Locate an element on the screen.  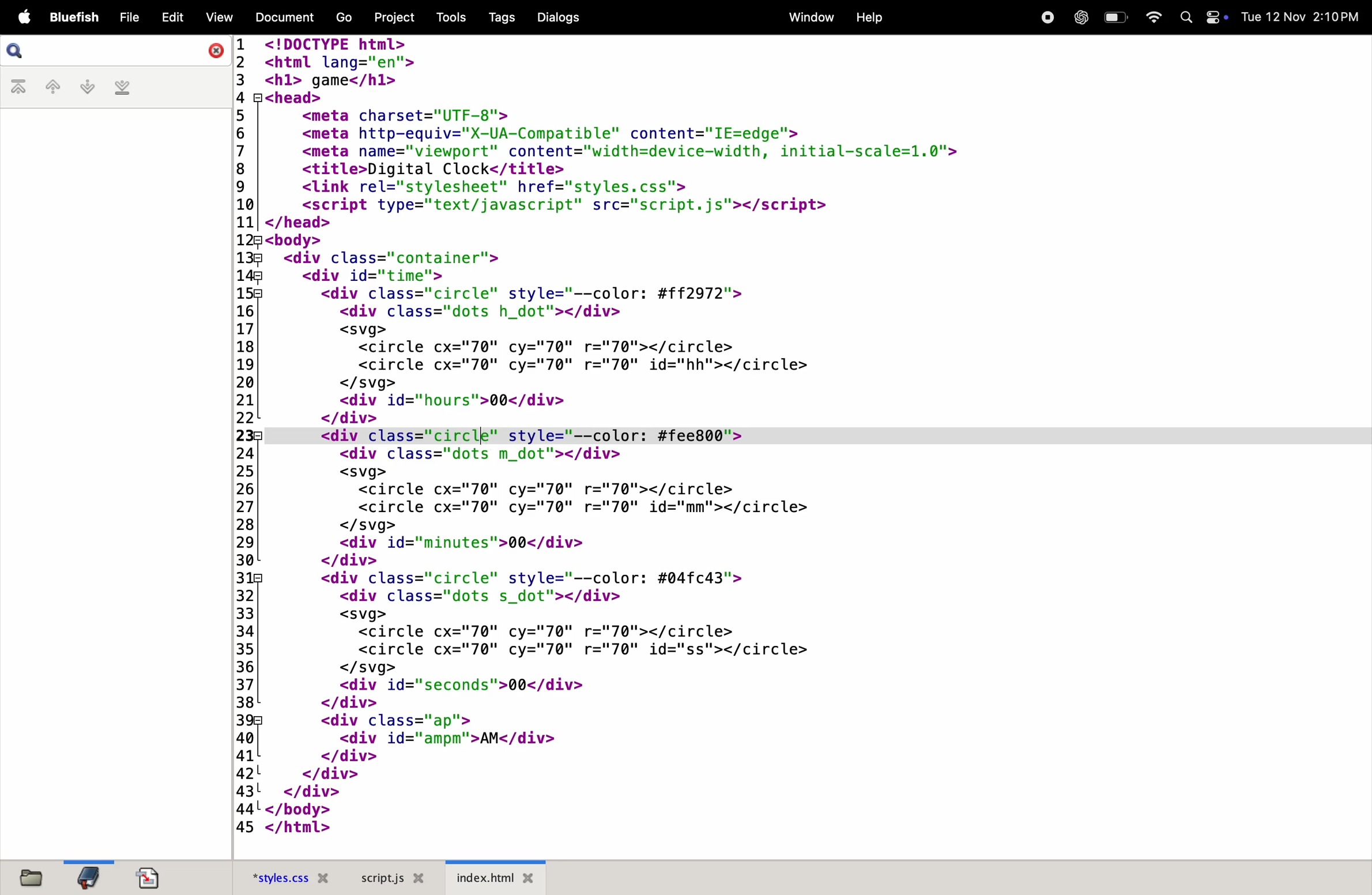
chatgpt is located at coordinates (1077, 17).